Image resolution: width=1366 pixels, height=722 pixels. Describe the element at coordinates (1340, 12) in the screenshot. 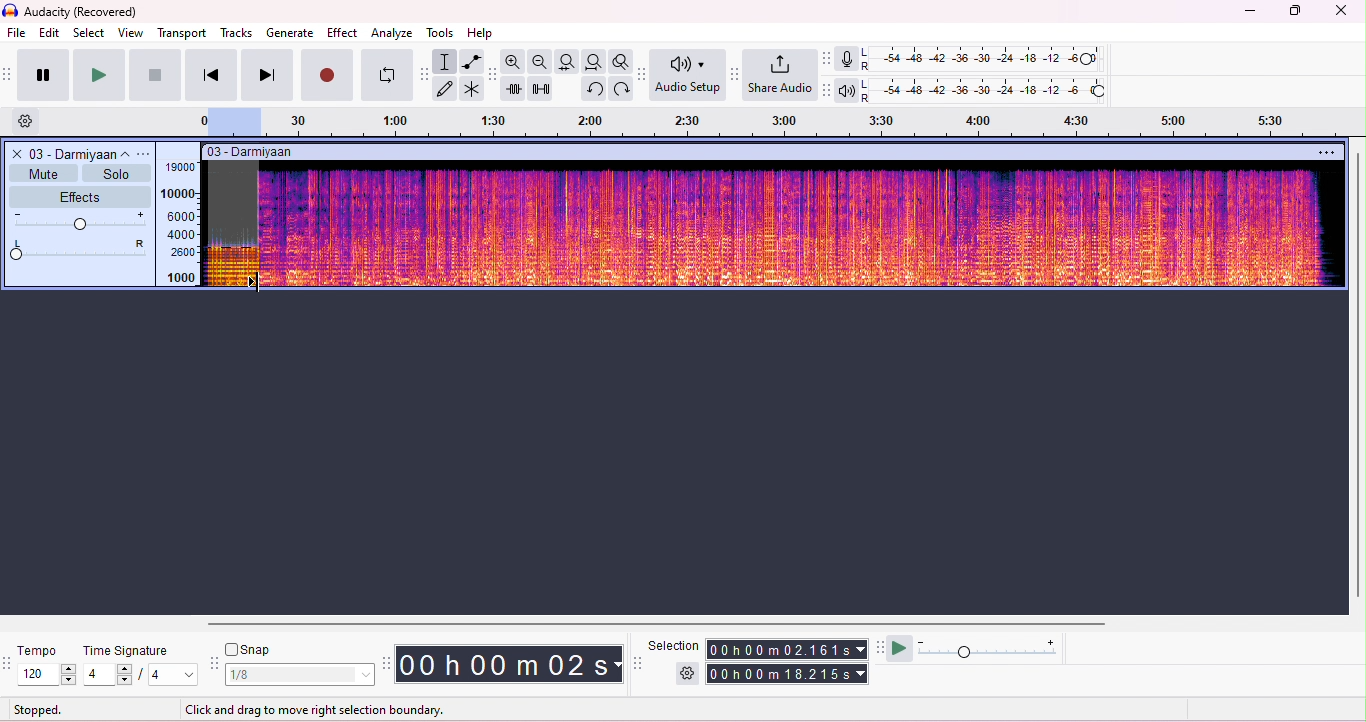

I see `close` at that location.